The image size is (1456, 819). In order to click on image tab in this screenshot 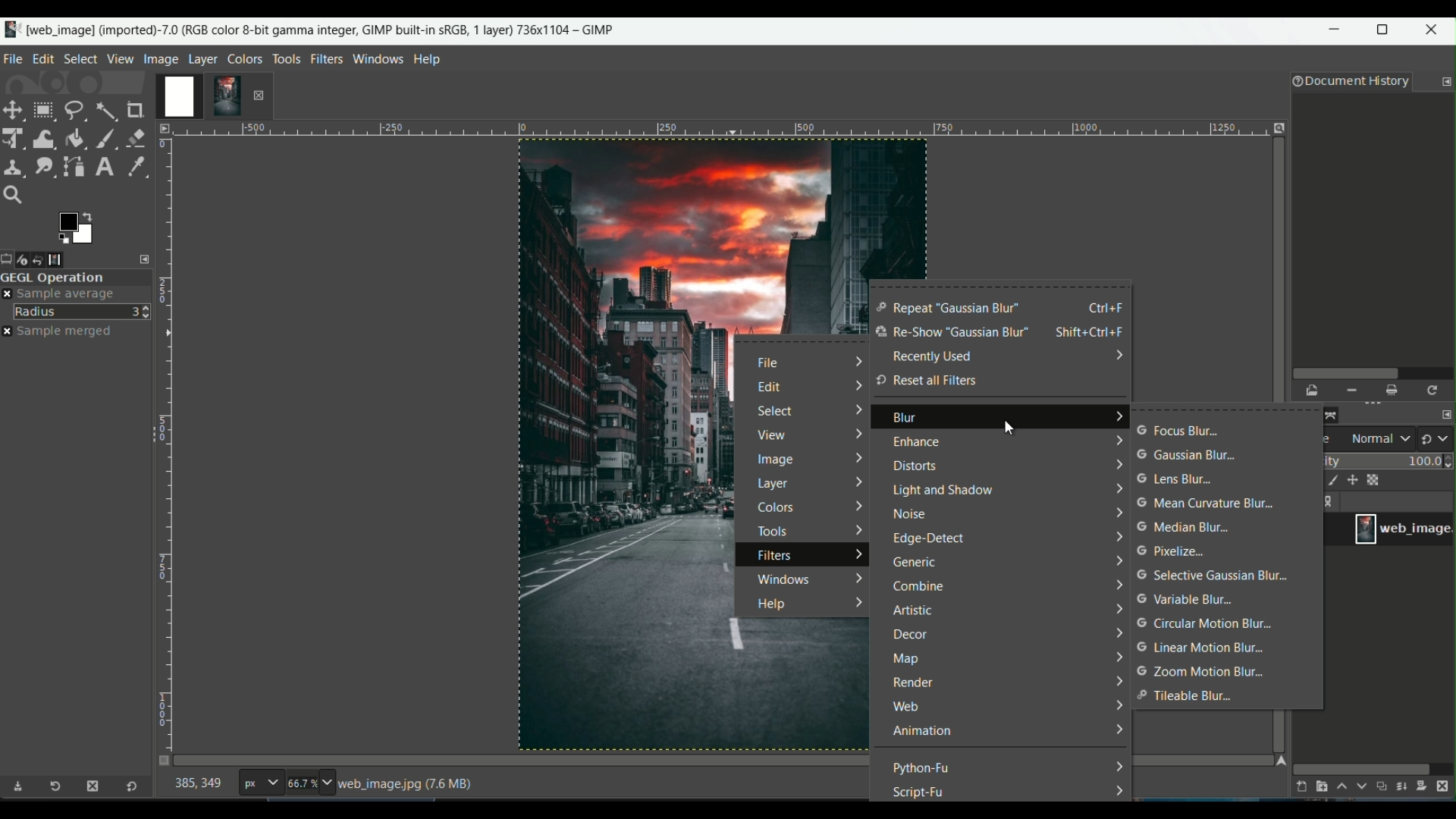, I will do `click(161, 58)`.